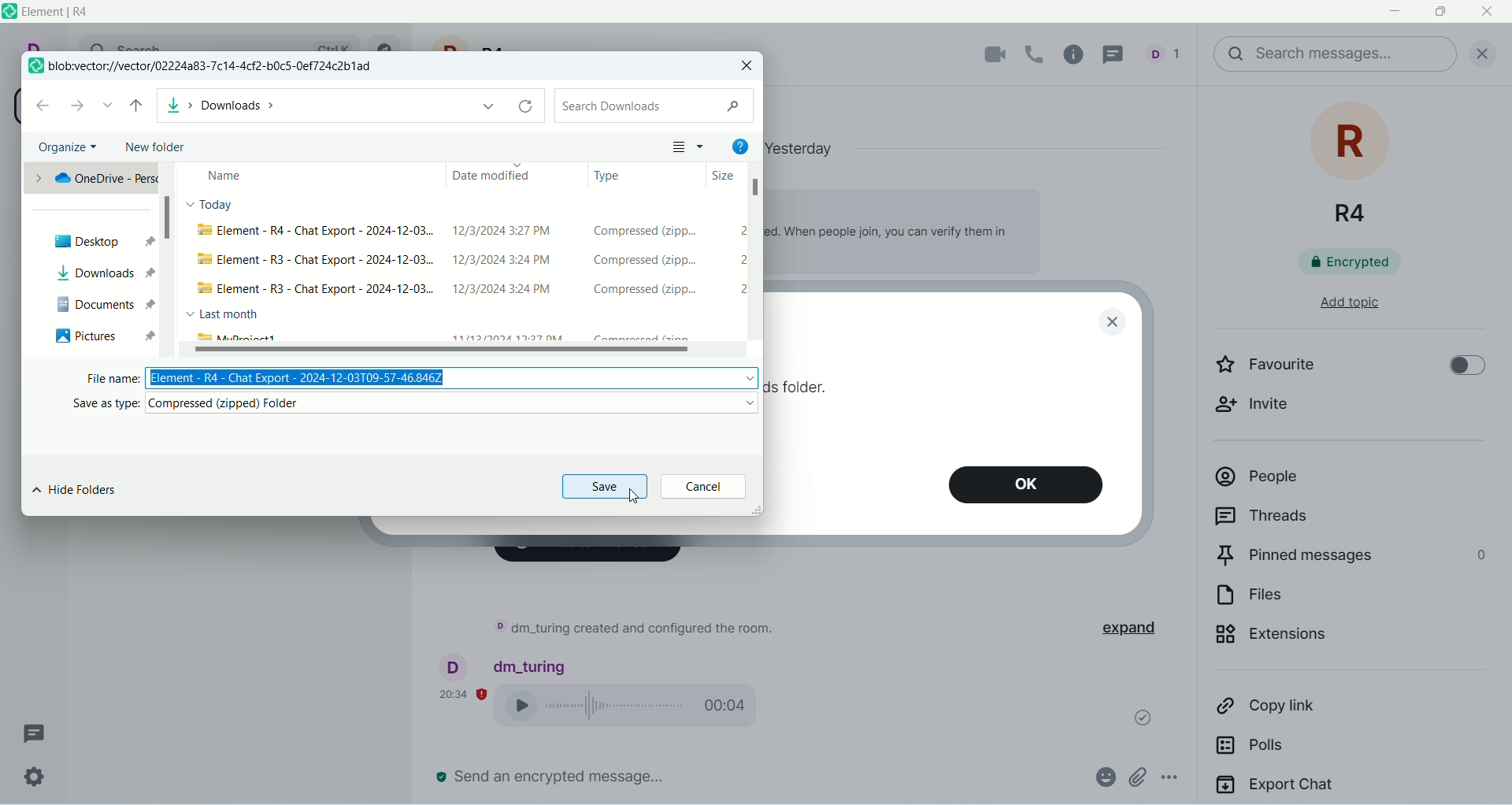 The width and height of the screenshot is (1512, 805). I want to click on downloads, so click(353, 106).